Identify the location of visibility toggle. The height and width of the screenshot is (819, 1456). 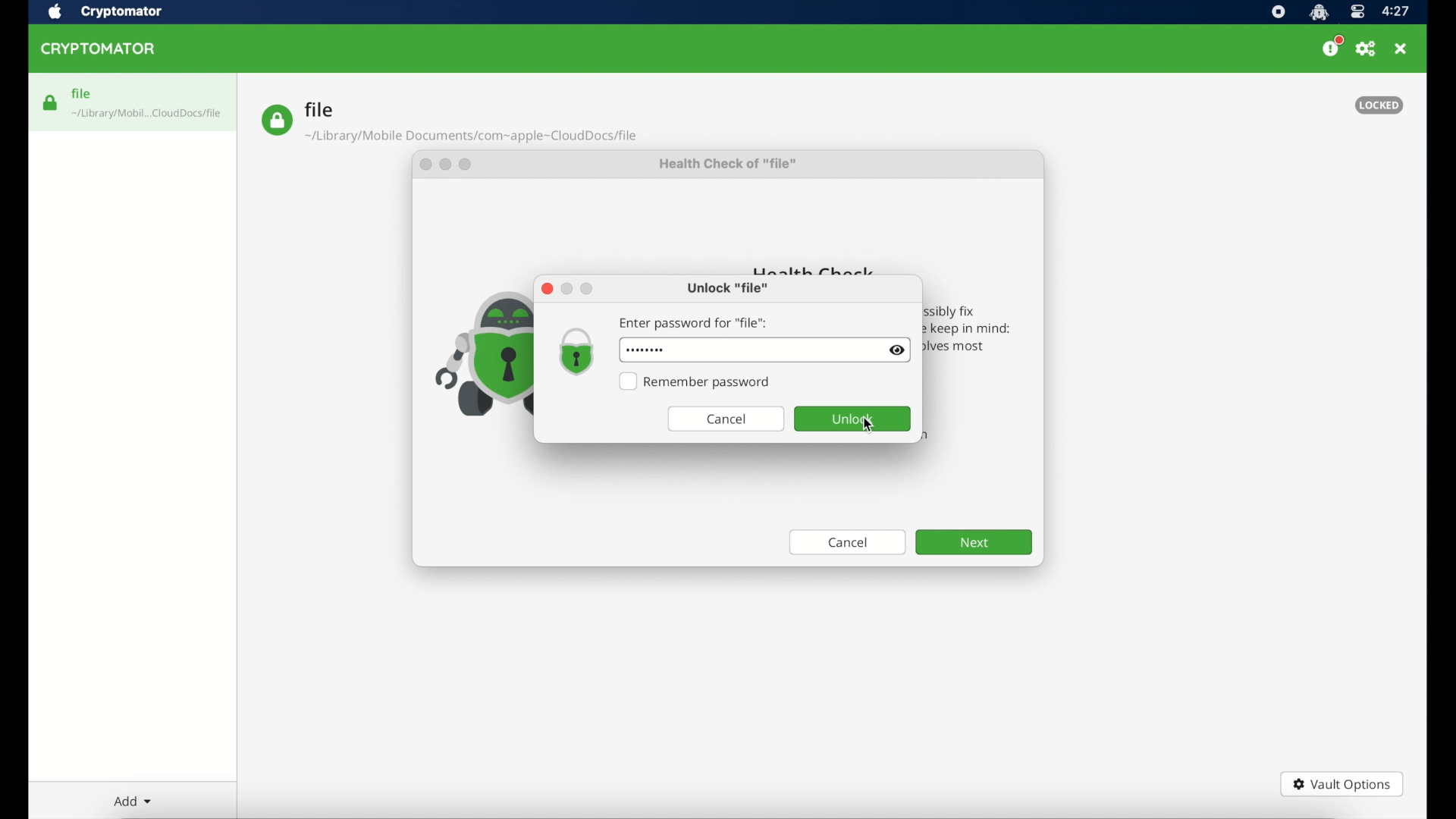
(896, 350).